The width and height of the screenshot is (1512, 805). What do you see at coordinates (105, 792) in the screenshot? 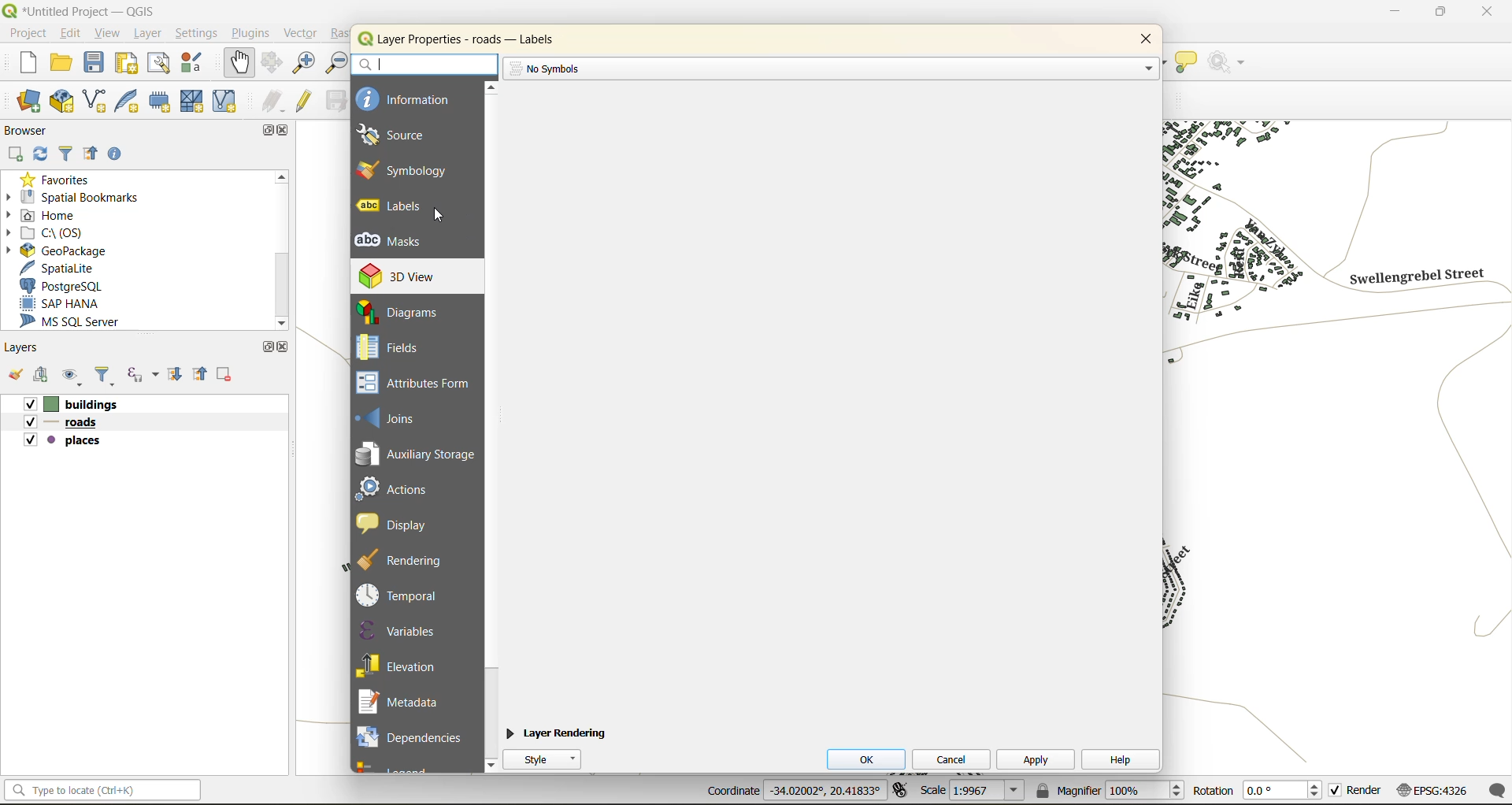
I see `status bar` at bounding box center [105, 792].